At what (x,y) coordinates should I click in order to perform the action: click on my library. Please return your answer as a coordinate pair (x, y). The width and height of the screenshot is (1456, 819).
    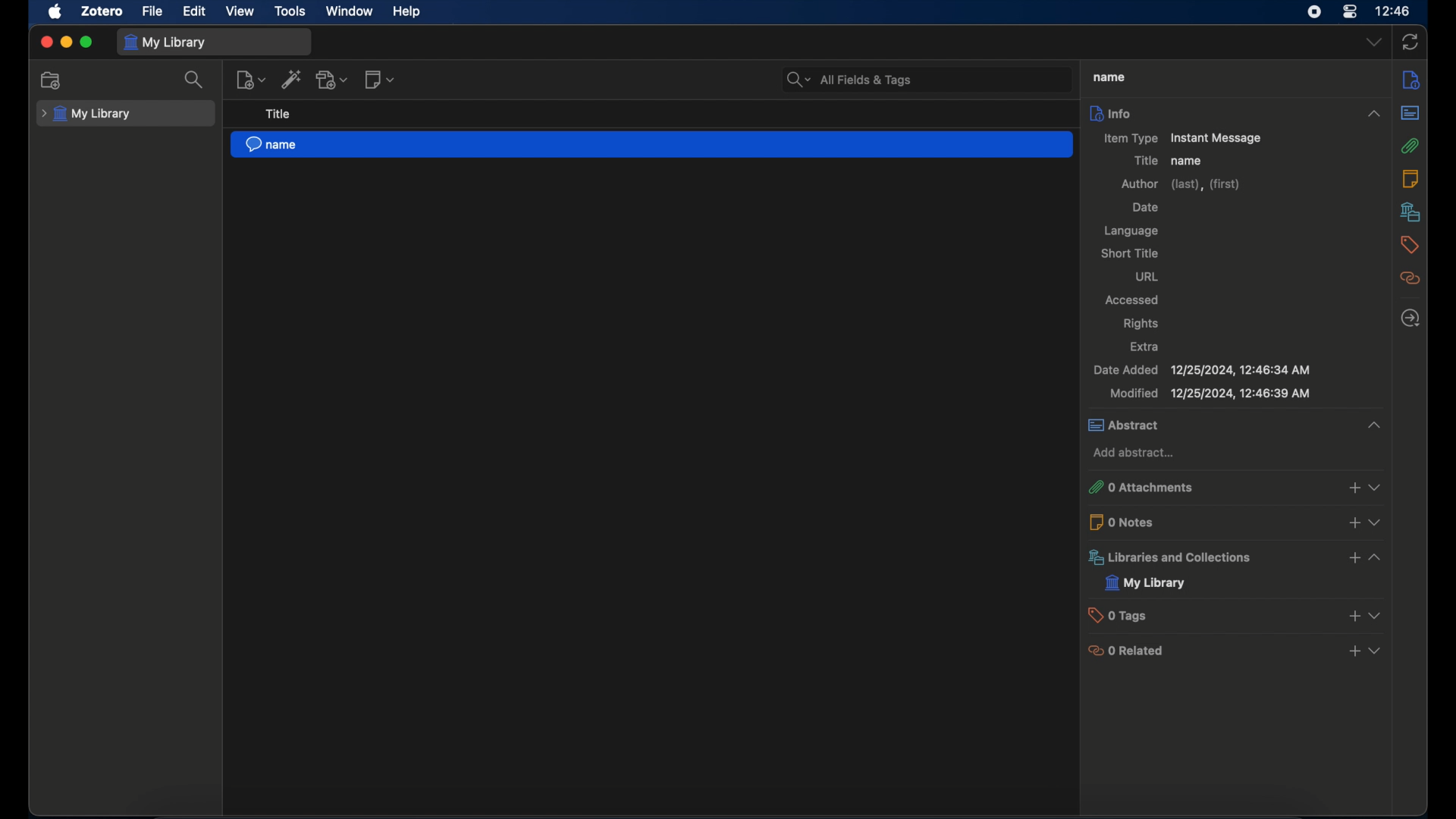
    Looking at the image, I should click on (168, 43).